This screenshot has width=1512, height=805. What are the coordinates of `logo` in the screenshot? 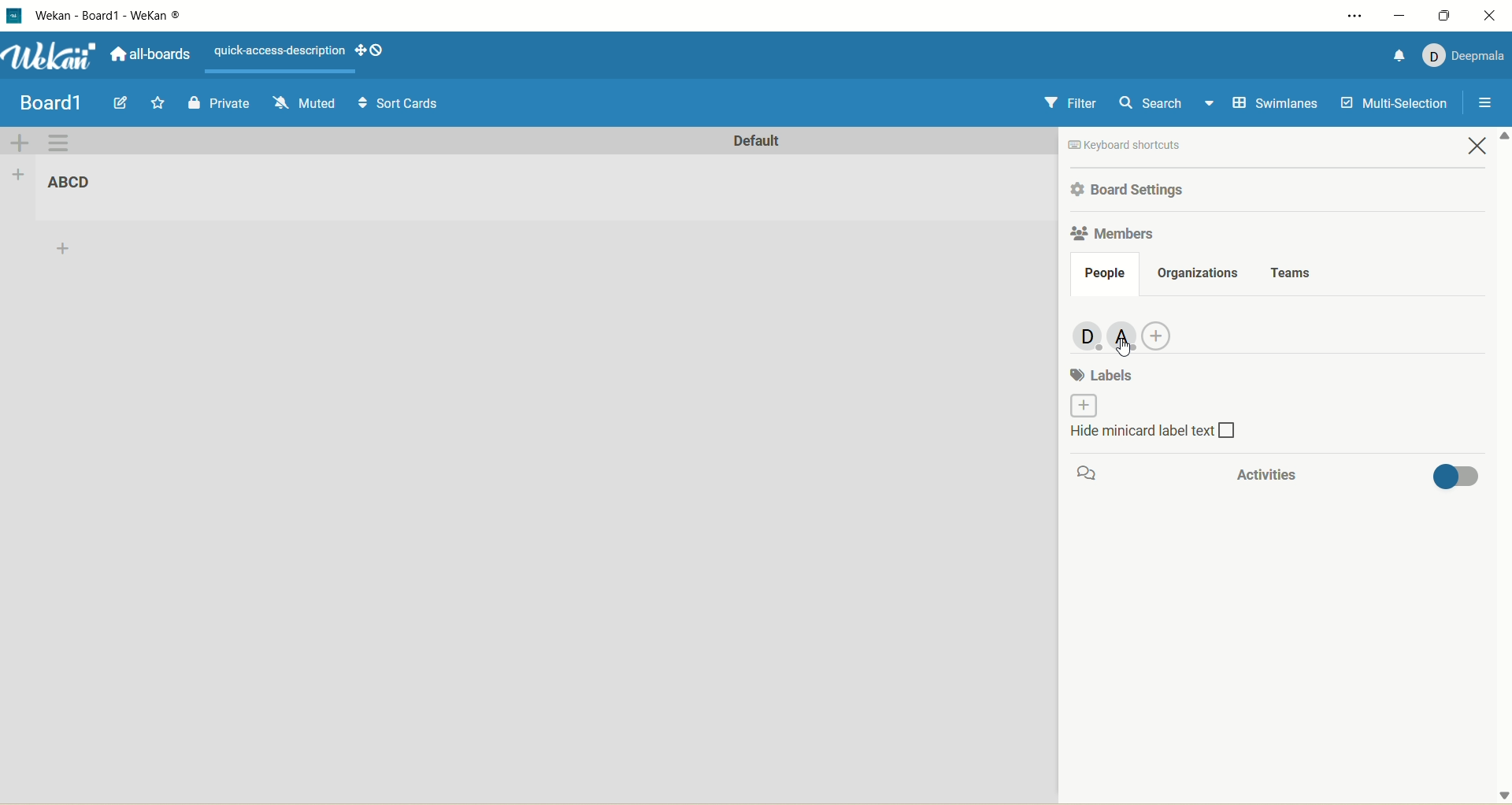 It's located at (17, 16).